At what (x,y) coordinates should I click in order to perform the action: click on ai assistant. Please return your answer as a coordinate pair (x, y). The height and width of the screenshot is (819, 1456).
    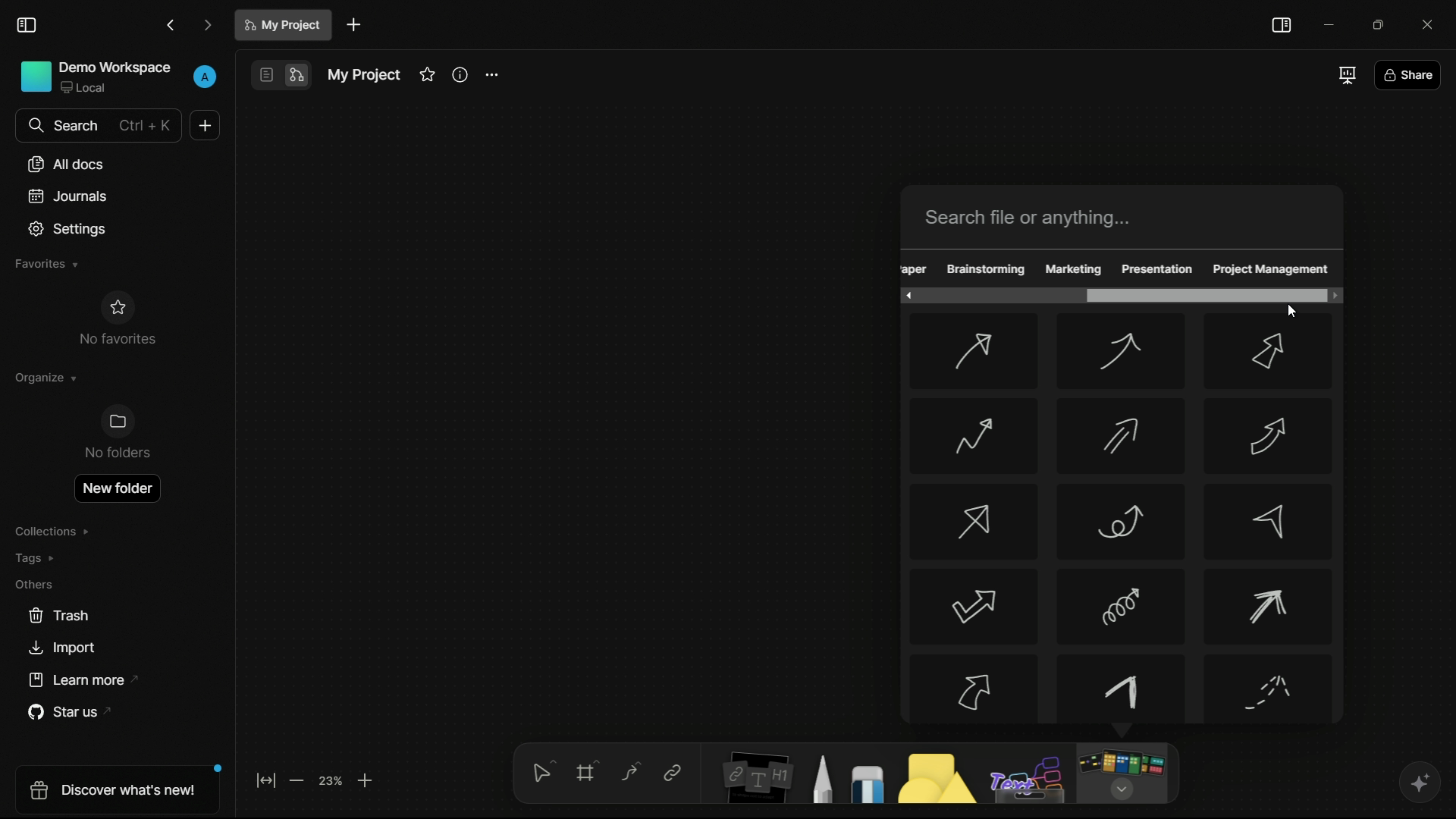
    Looking at the image, I should click on (1419, 783).